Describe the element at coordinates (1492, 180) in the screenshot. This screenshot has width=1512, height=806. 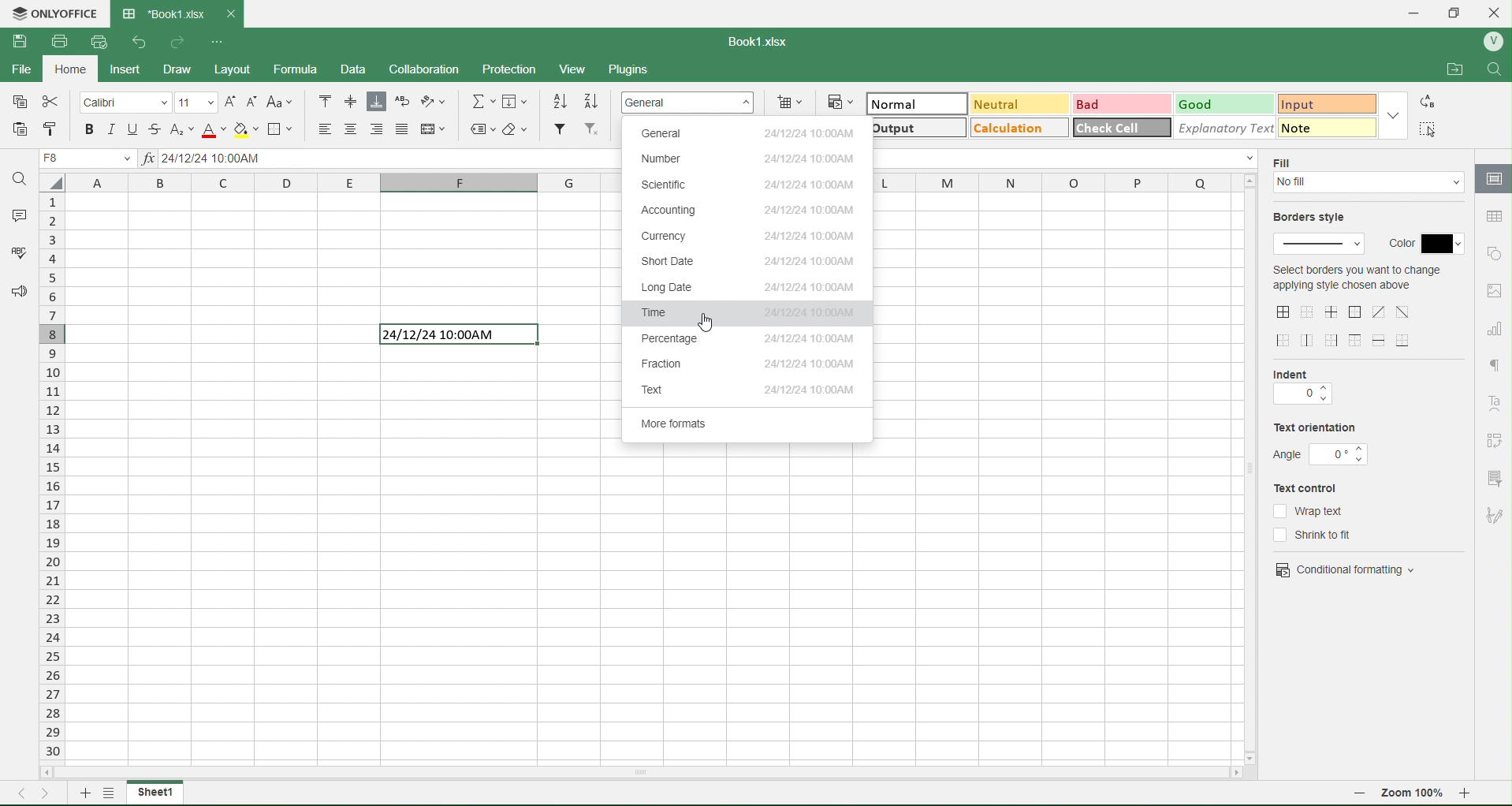
I see `drawing` at that location.